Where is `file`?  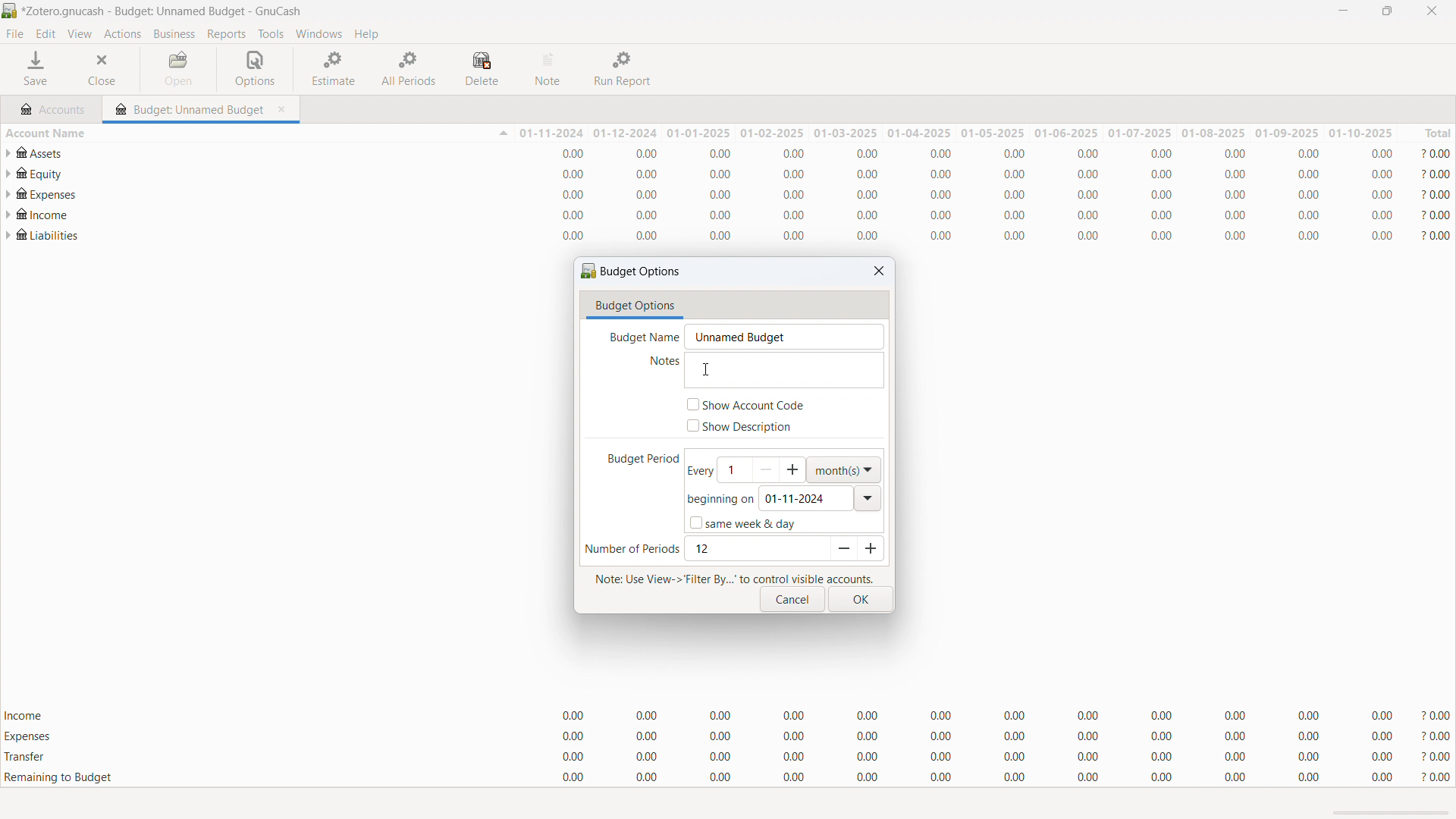
file is located at coordinates (14, 34).